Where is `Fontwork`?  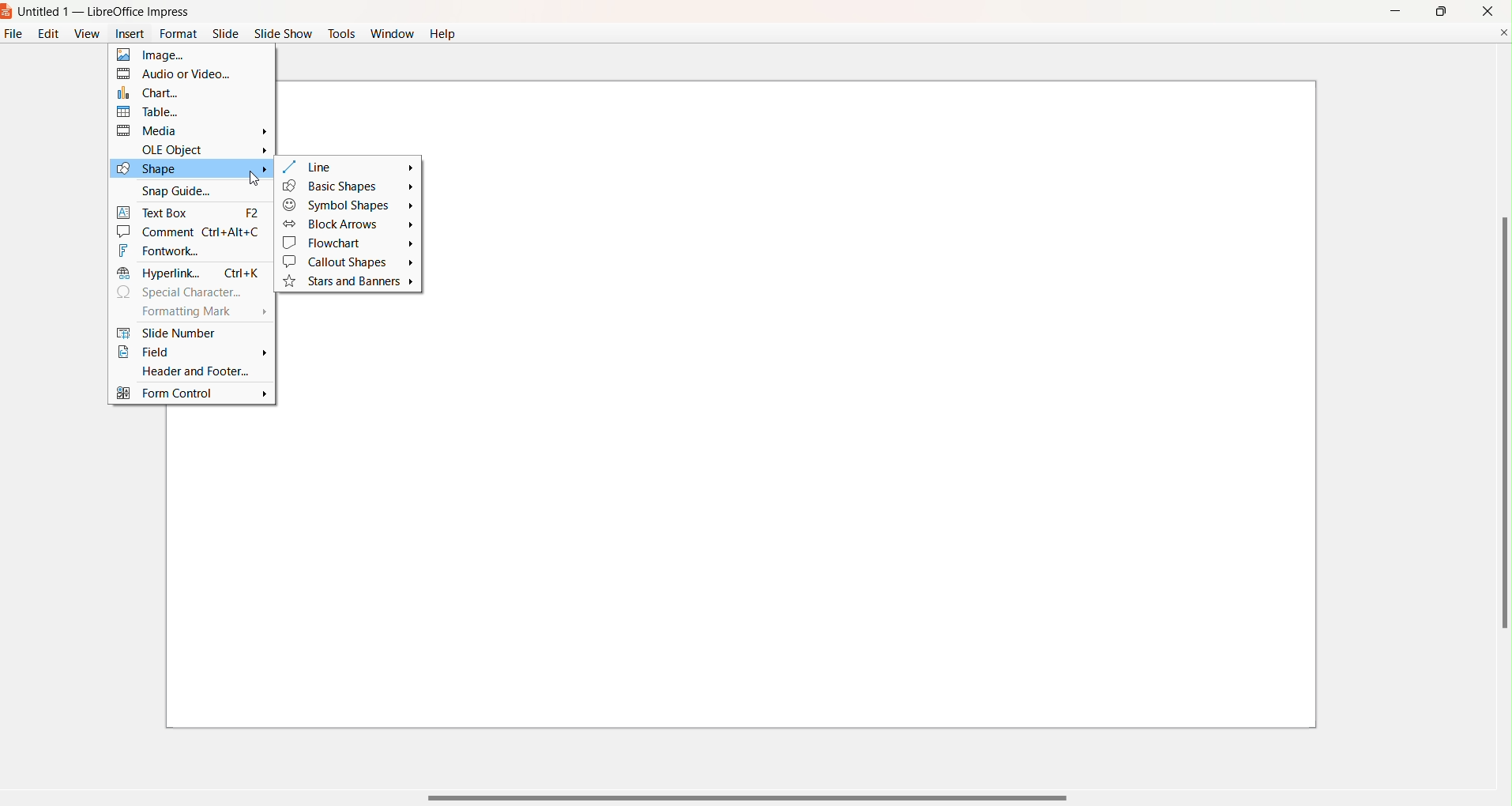 Fontwork is located at coordinates (183, 250).